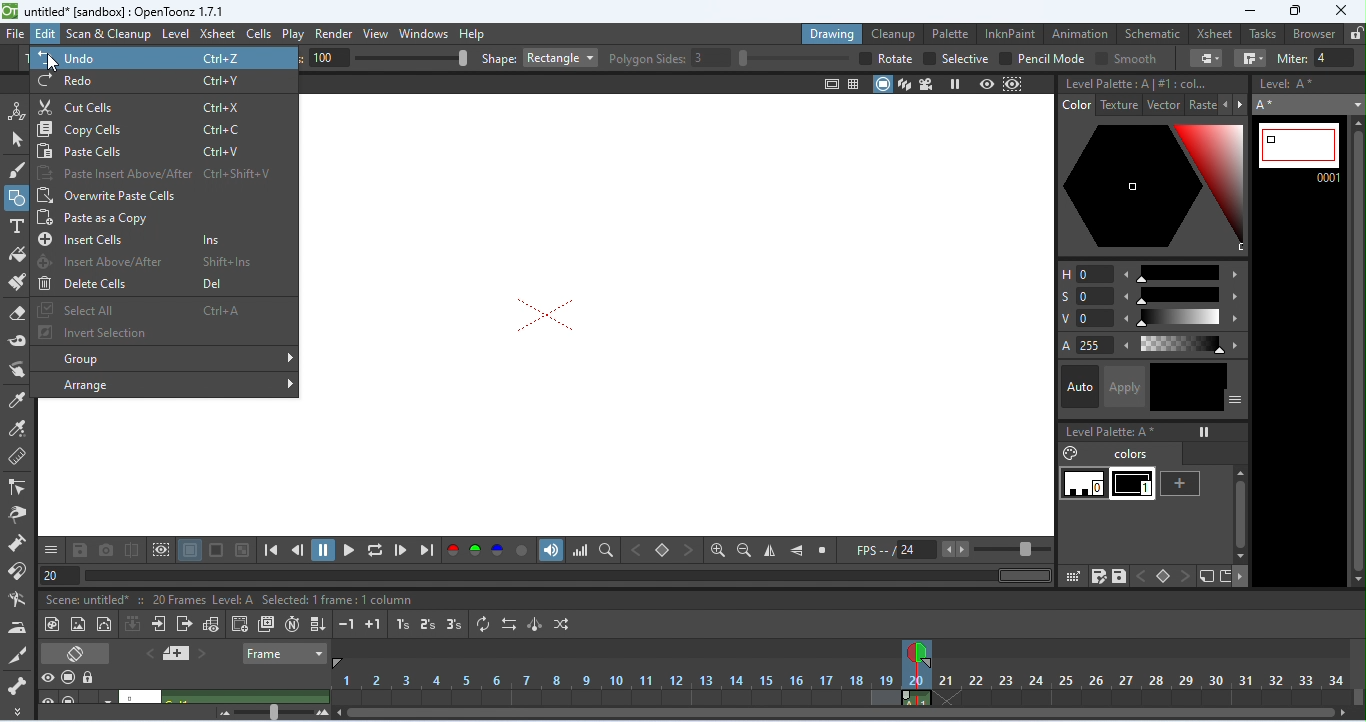 This screenshot has height=722, width=1366. What do you see at coordinates (78, 623) in the screenshot?
I see `new raster level` at bounding box center [78, 623].